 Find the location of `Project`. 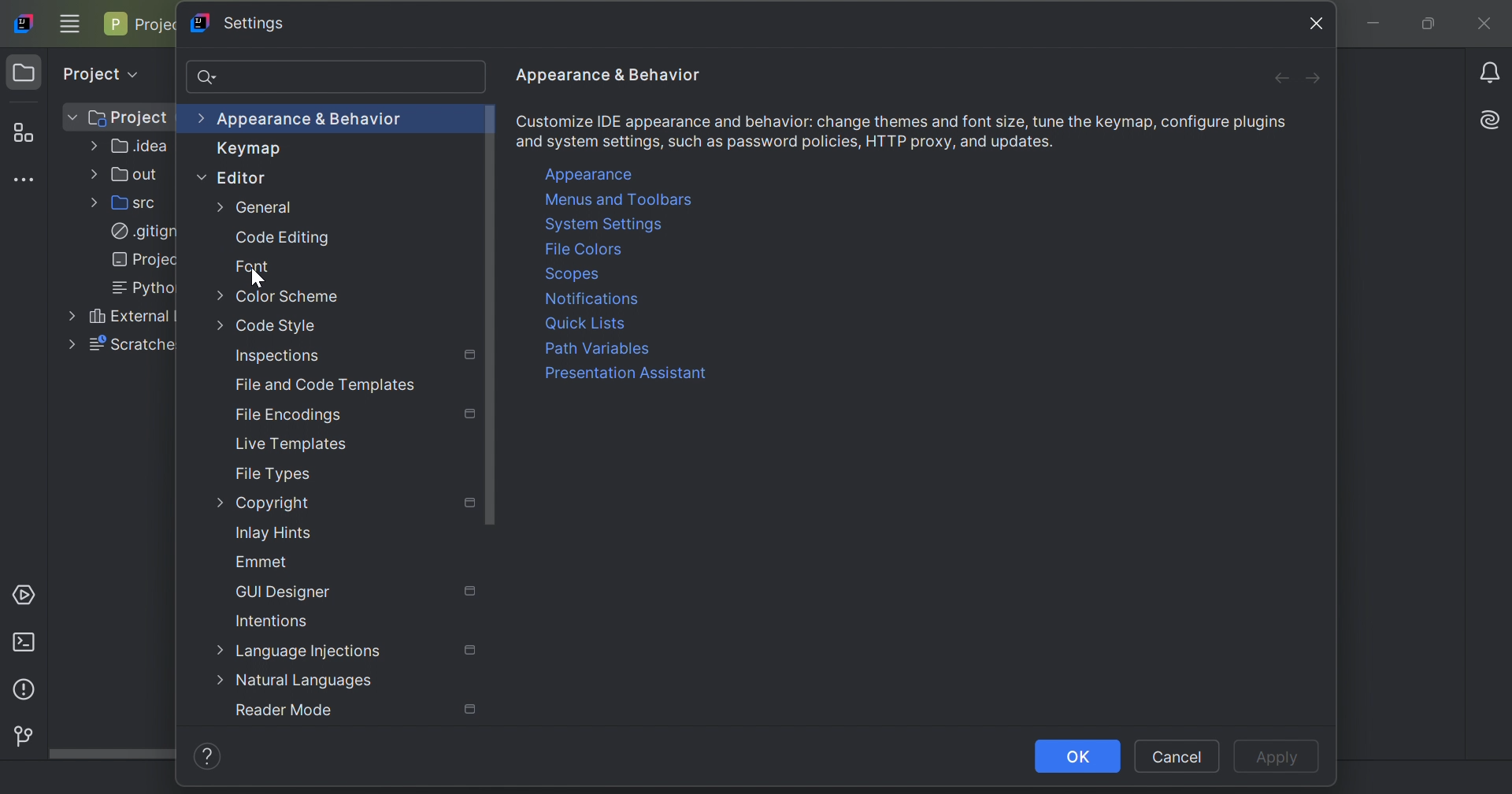

Project is located at coordinates (142, 24).